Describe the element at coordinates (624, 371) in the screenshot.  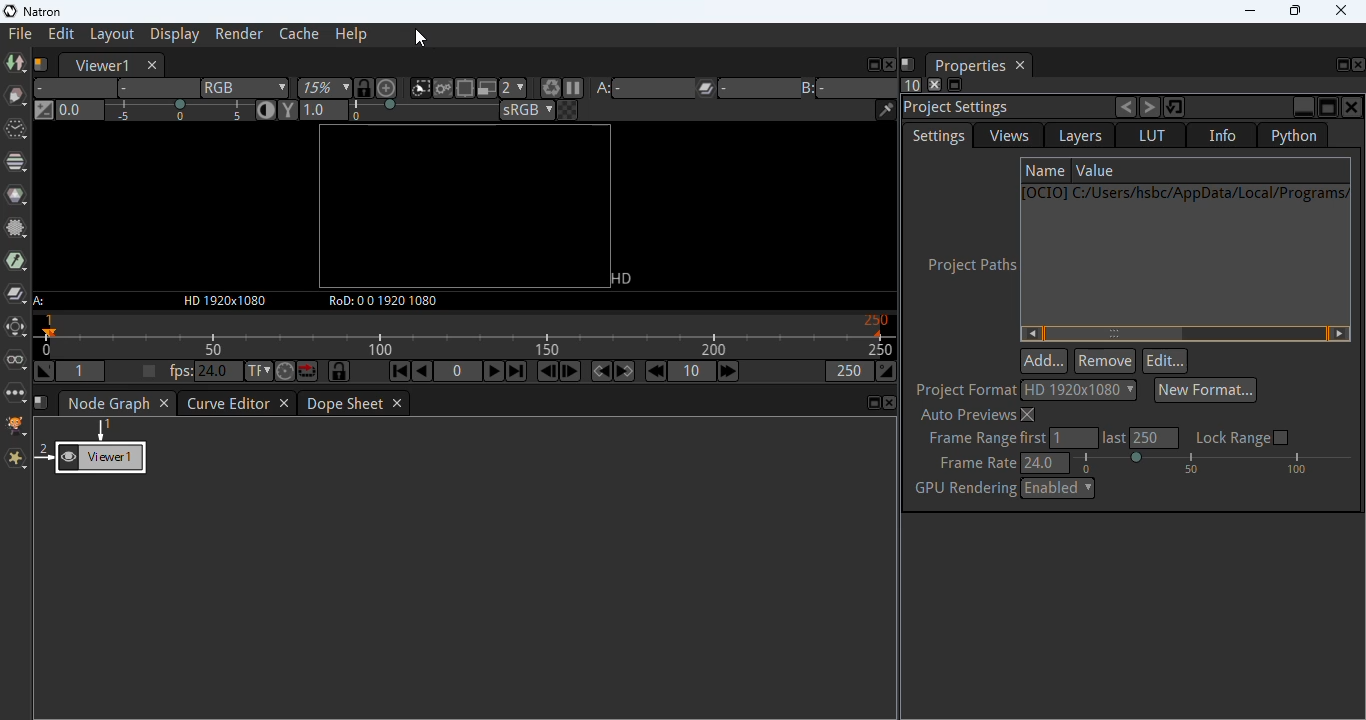
I see `next keyframe` at that location.